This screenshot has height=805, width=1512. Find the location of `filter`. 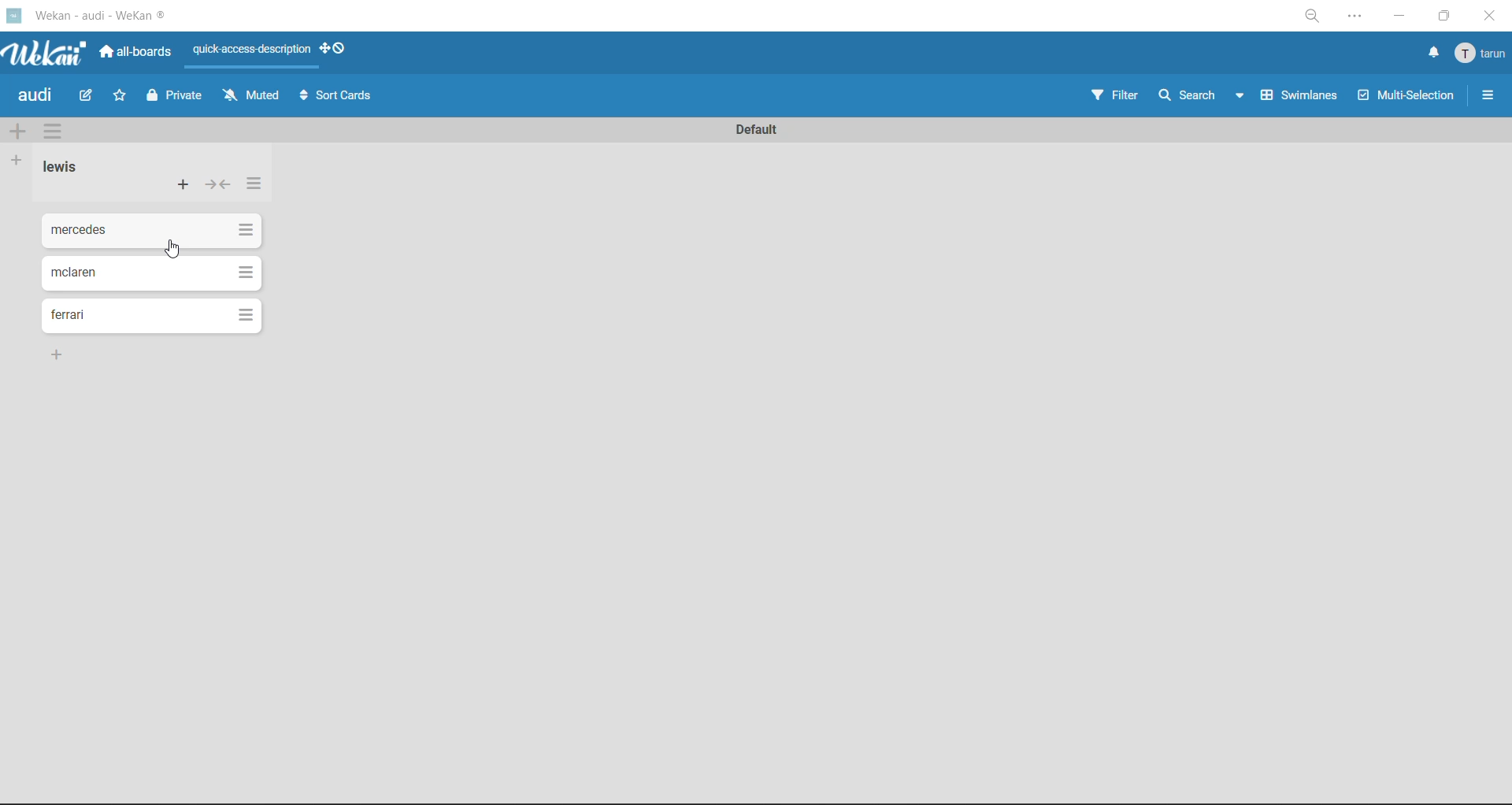

filter is located at coordinates (1113, 98).